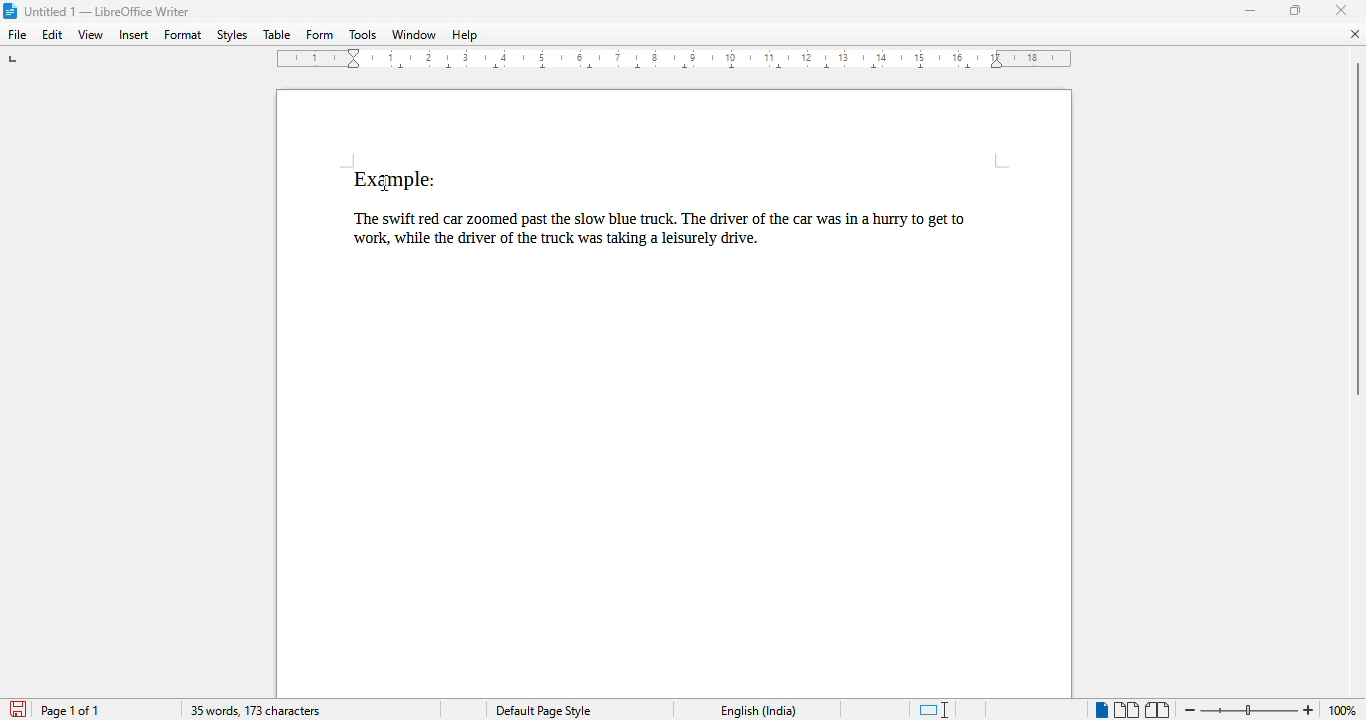 The height and width of the screenshot is (720, 1366). I want to click on Example: The swift red car zoomed past the slow blue truck. The driver of the car was in a hurry to get to work, while the driver of the truck was taking a leisurely drive., so click(675, 212).